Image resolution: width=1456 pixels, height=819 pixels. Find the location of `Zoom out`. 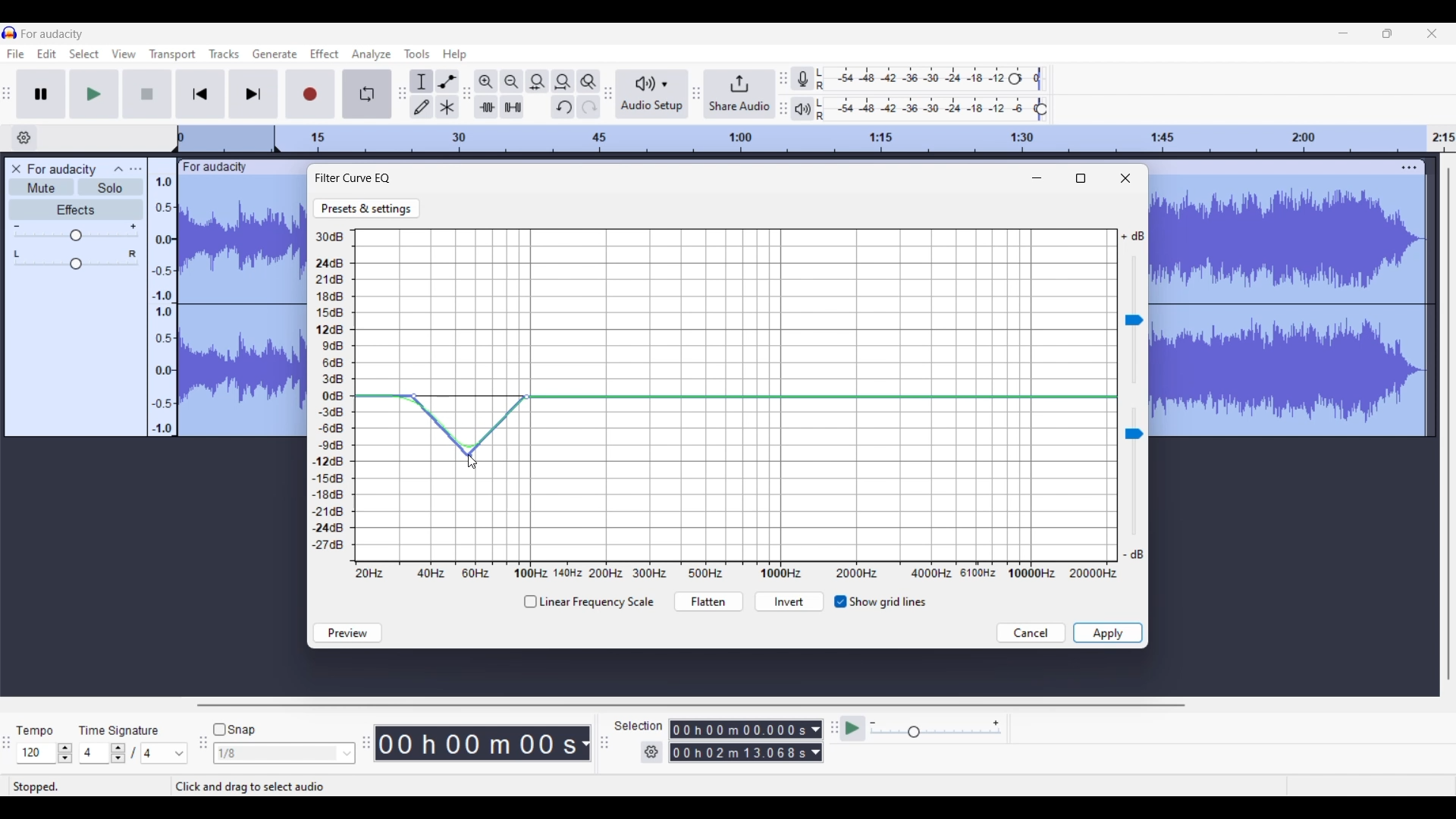

Zoom out is located at coordinates (511, 81).